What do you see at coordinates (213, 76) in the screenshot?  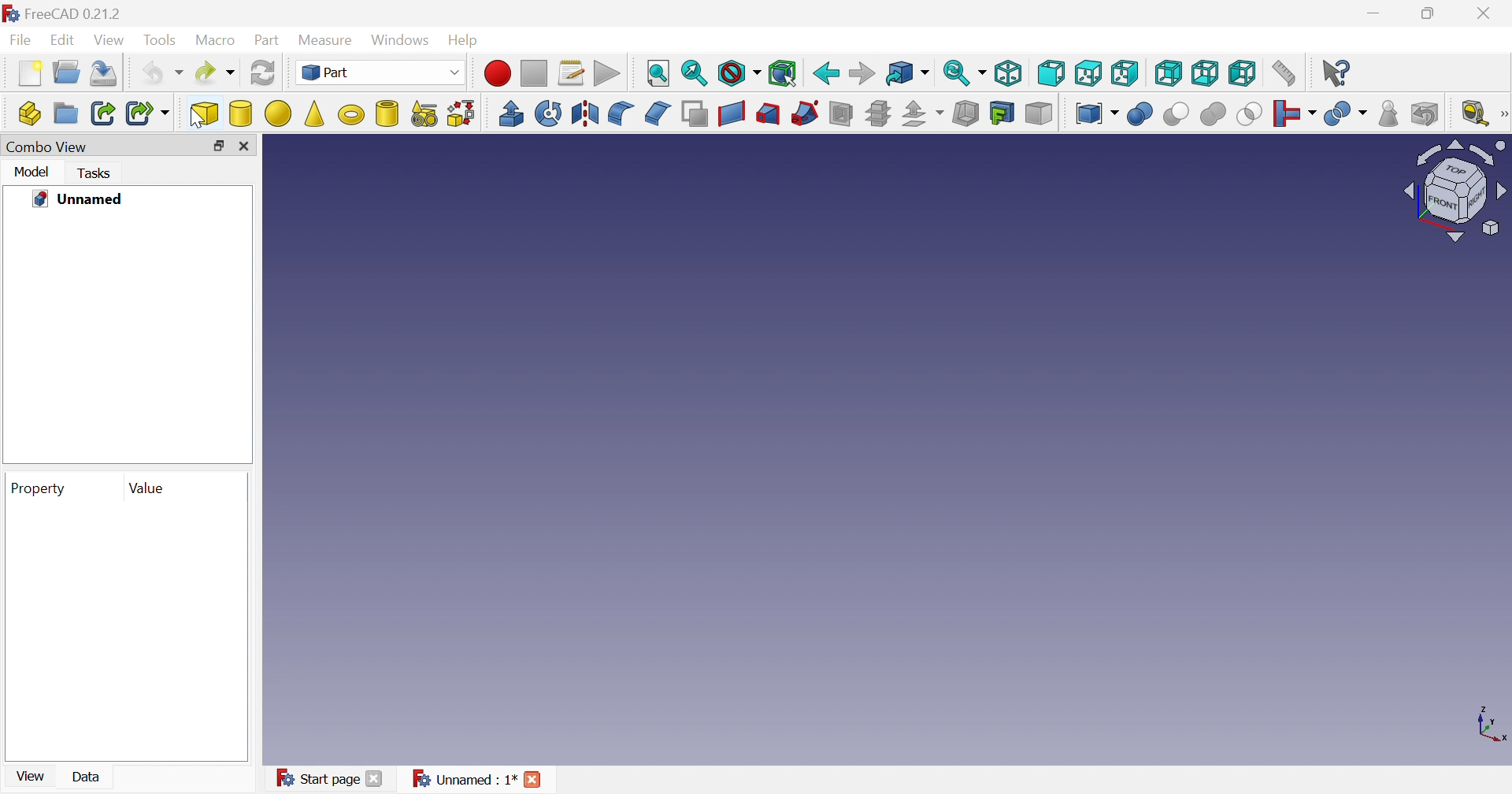 I see `Redo` at bounding box center [213, 76].